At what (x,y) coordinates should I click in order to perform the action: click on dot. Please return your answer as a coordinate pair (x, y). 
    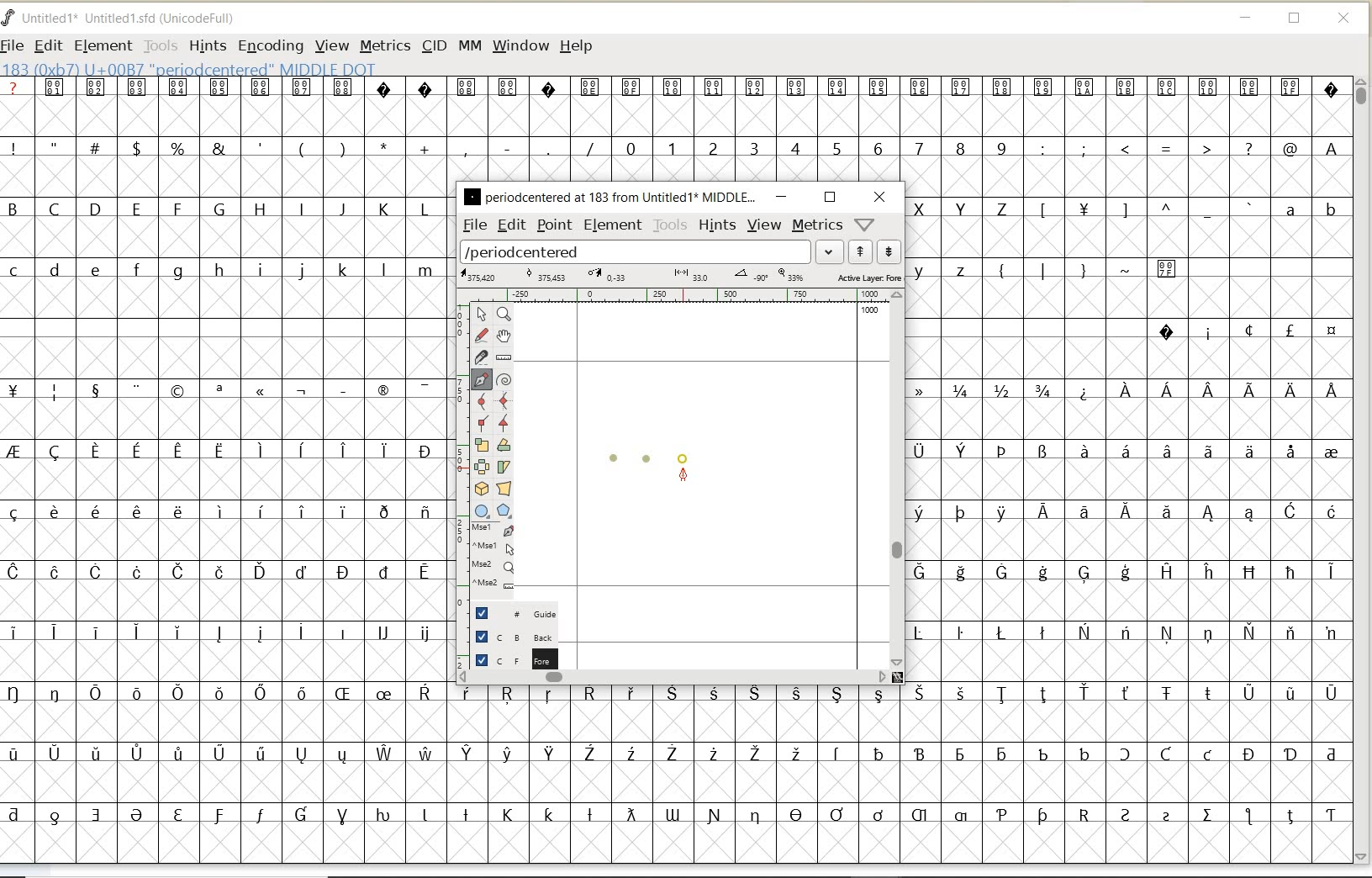
    Looking at the image, I should click on (646, 458).